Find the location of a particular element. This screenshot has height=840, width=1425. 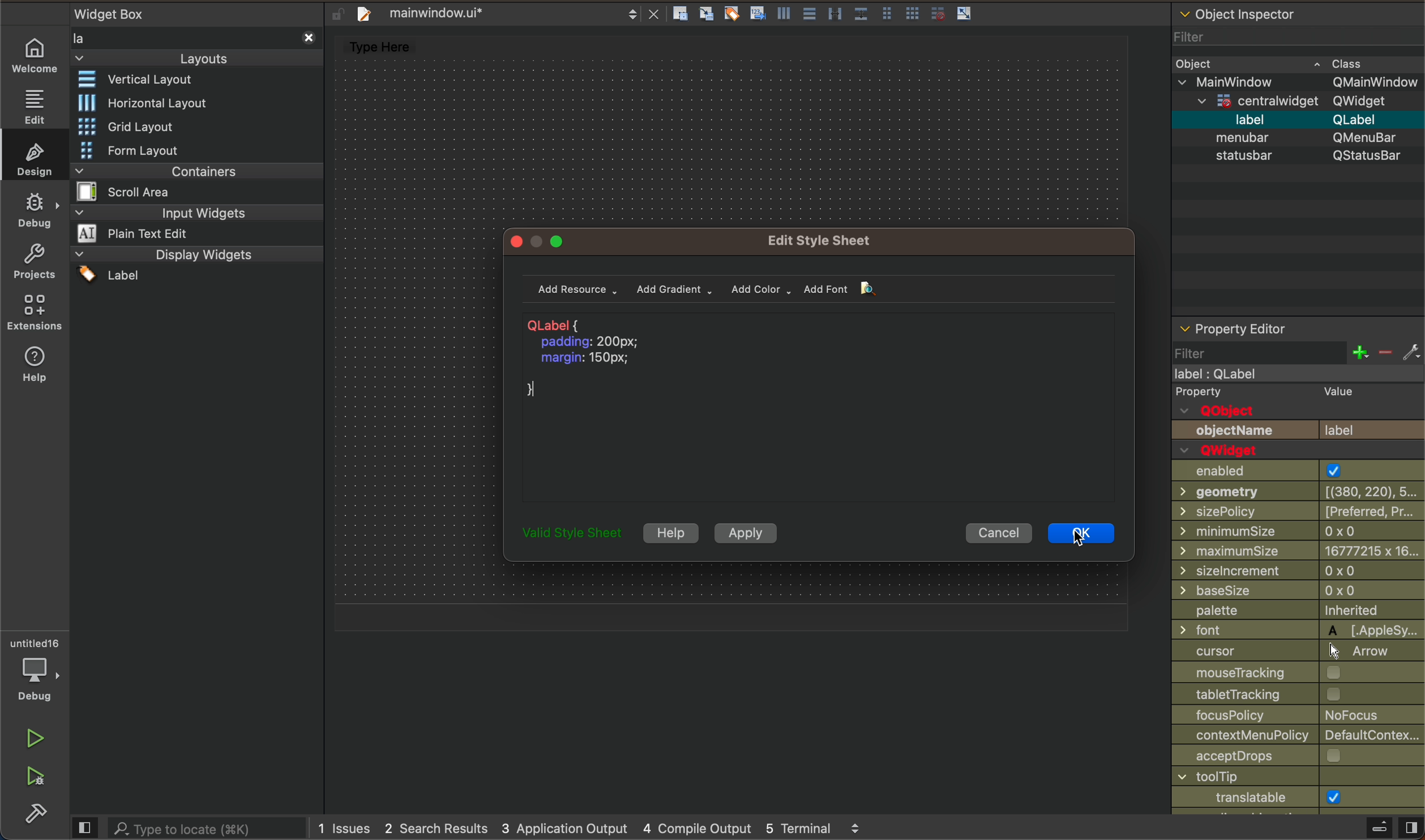

search is located at coordinates (189, 827).